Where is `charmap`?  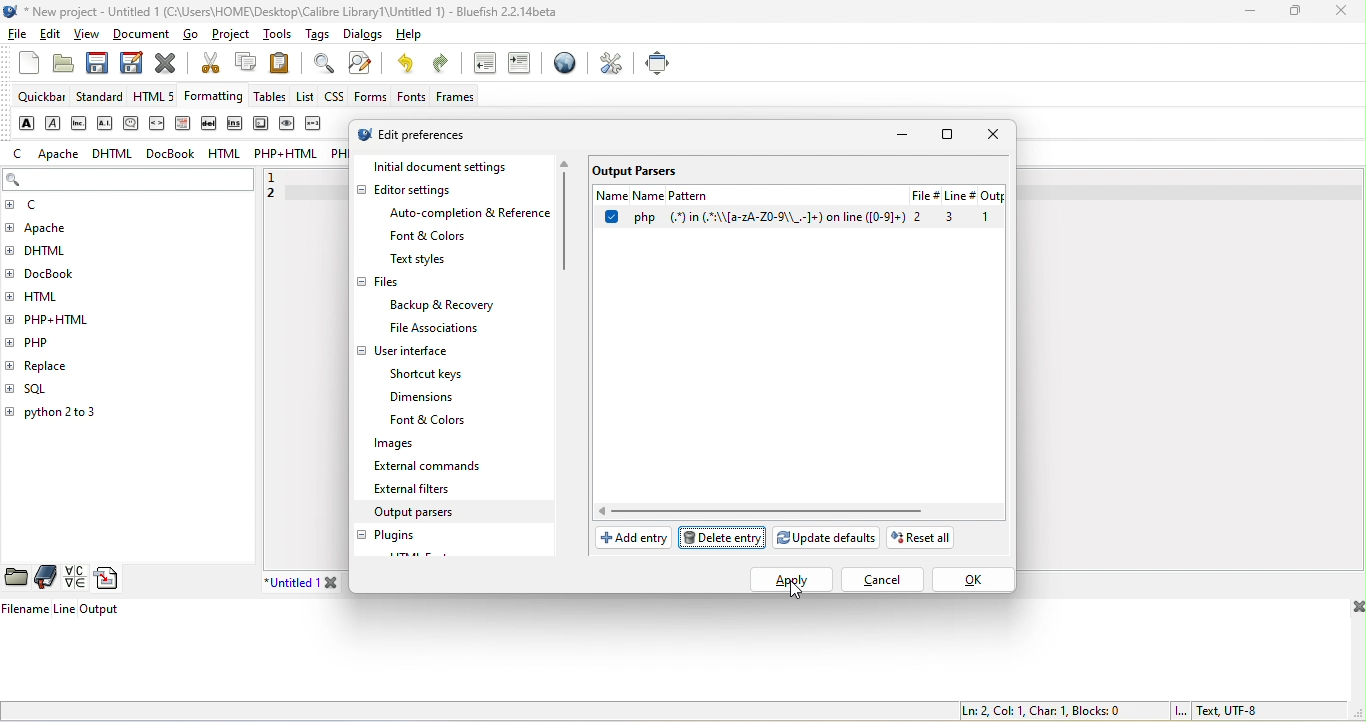 charmap is located at coordinates (74, 578).